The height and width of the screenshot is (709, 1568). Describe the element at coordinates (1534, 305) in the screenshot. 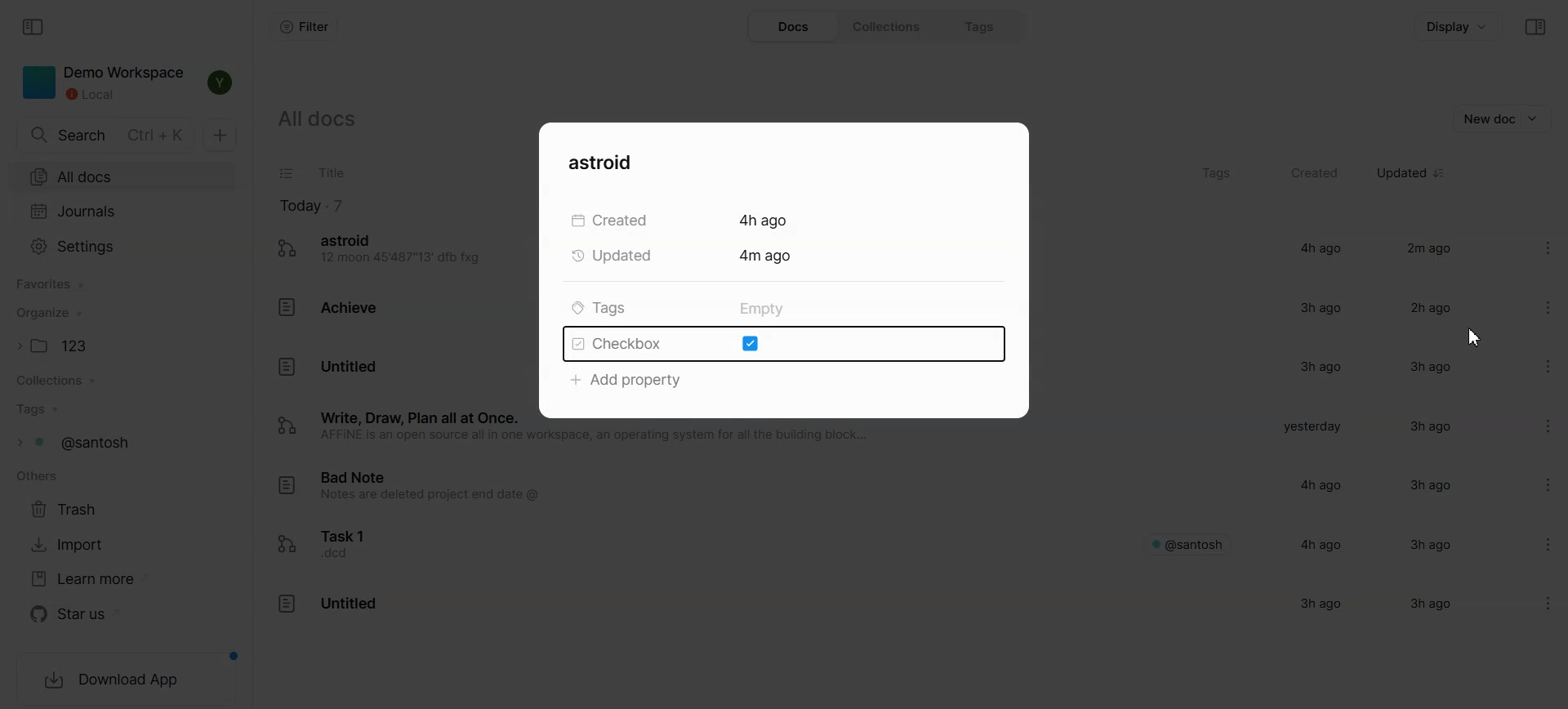

I see `Settings` at that location.